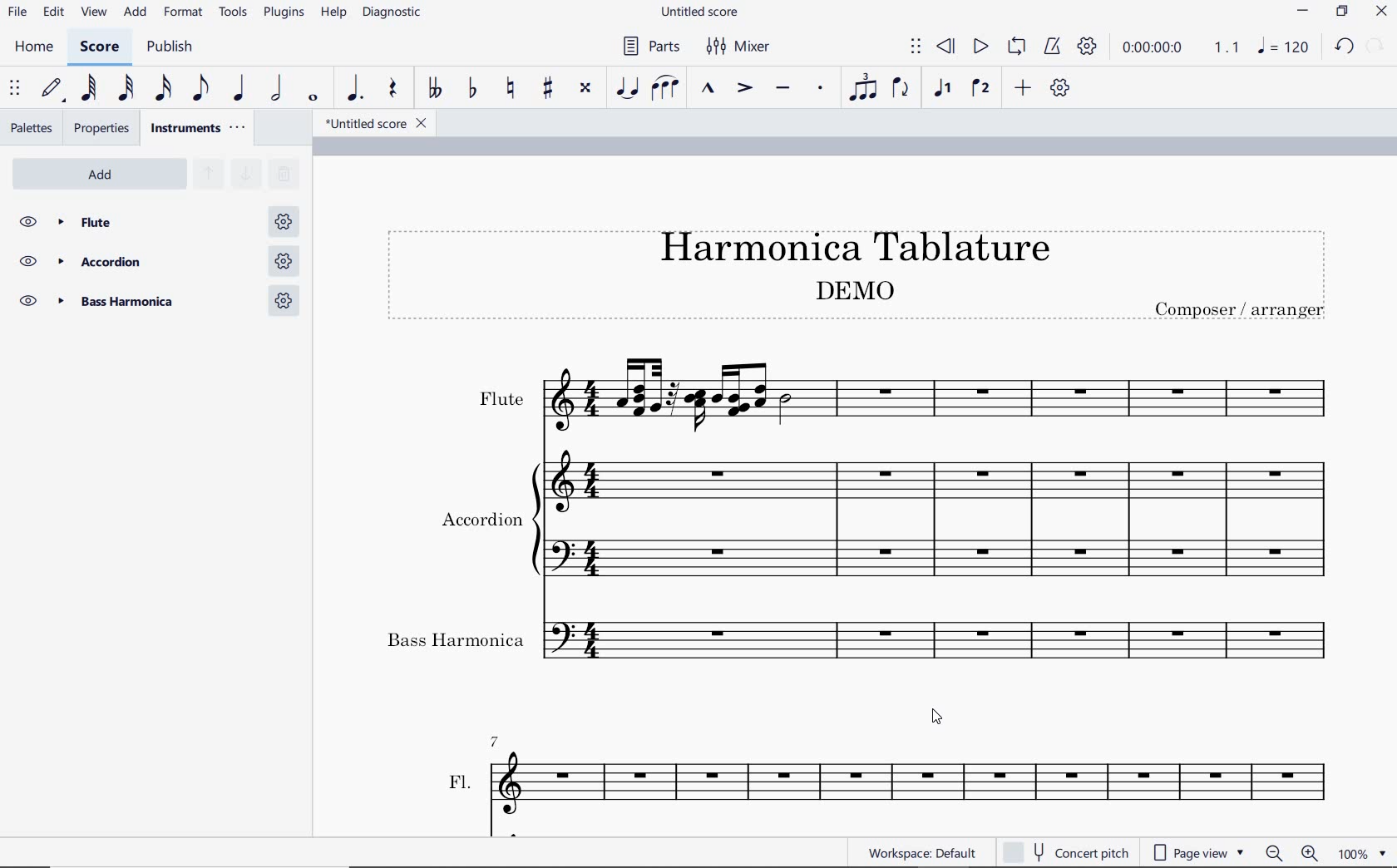 Image resolution: width=1397 pixels, height=868 pixels. Describe the element at coordinates (106, 175) in the screenshot. I see `Add` at that location.